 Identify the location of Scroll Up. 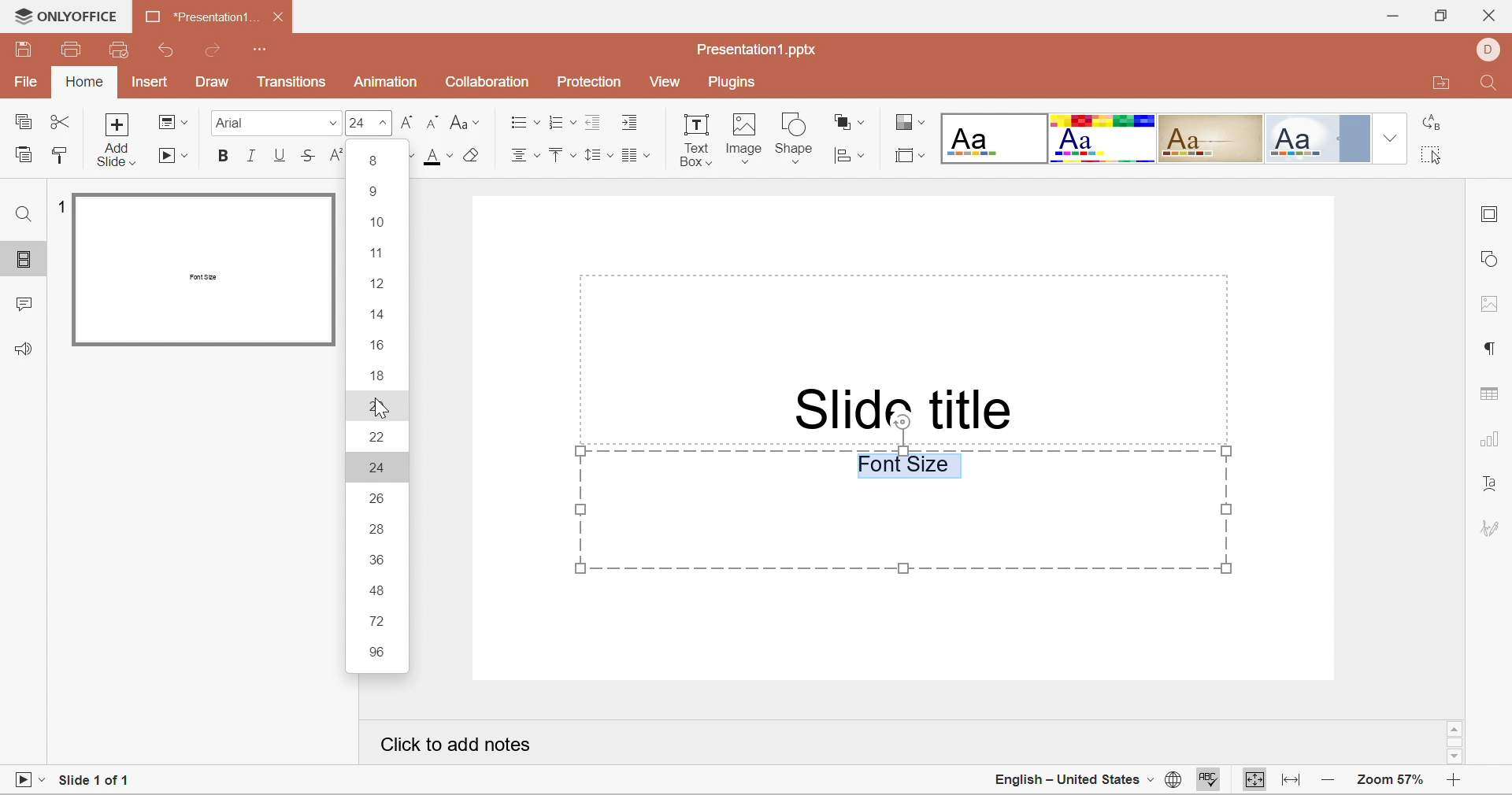
(1457, 727).